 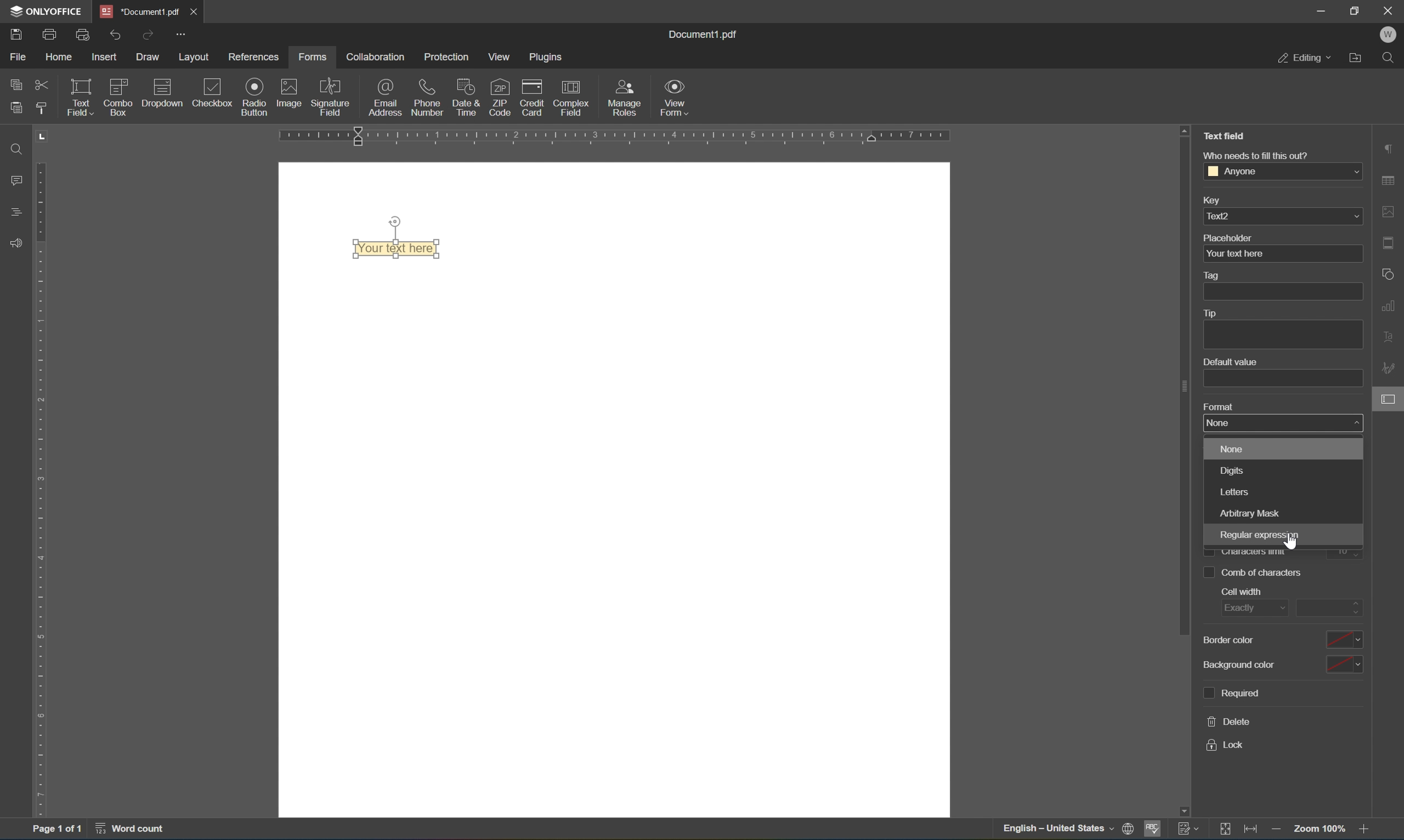 What do you see at coordinates (1246, 592) in the screenshot?
I see `cell with` at bounding box center [1246, 592].